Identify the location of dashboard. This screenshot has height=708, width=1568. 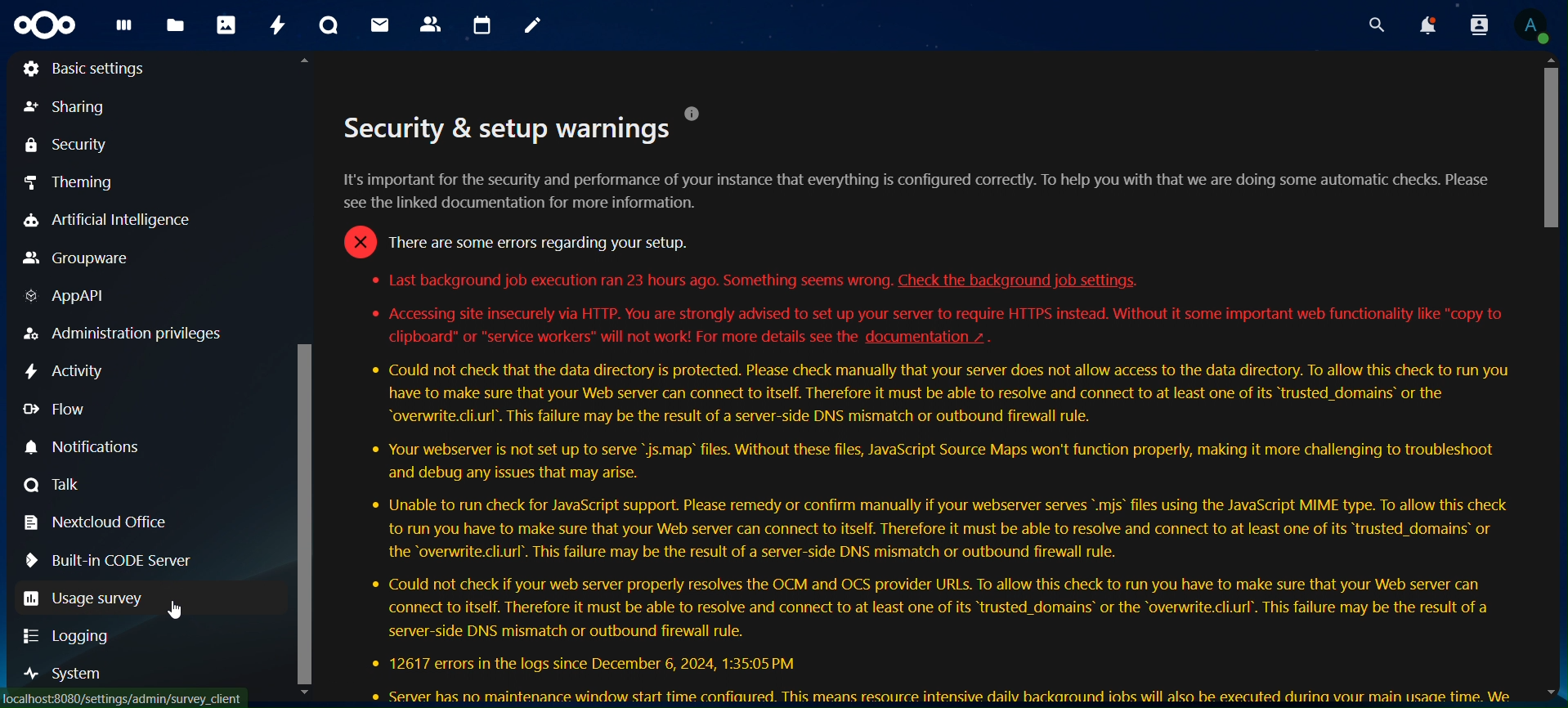
(125, 29).